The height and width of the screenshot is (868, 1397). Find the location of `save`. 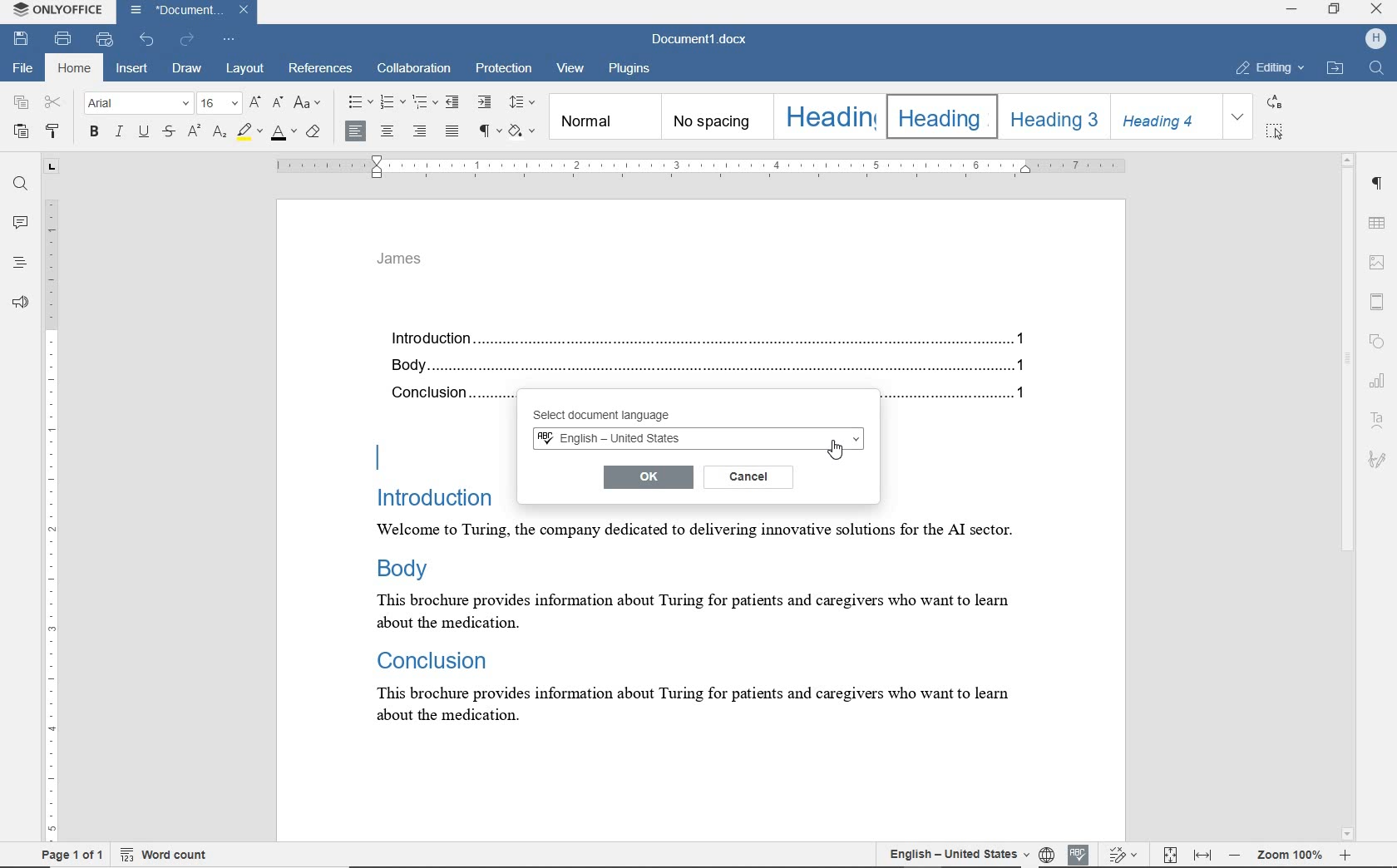

save is located at coordinates (20, 39).